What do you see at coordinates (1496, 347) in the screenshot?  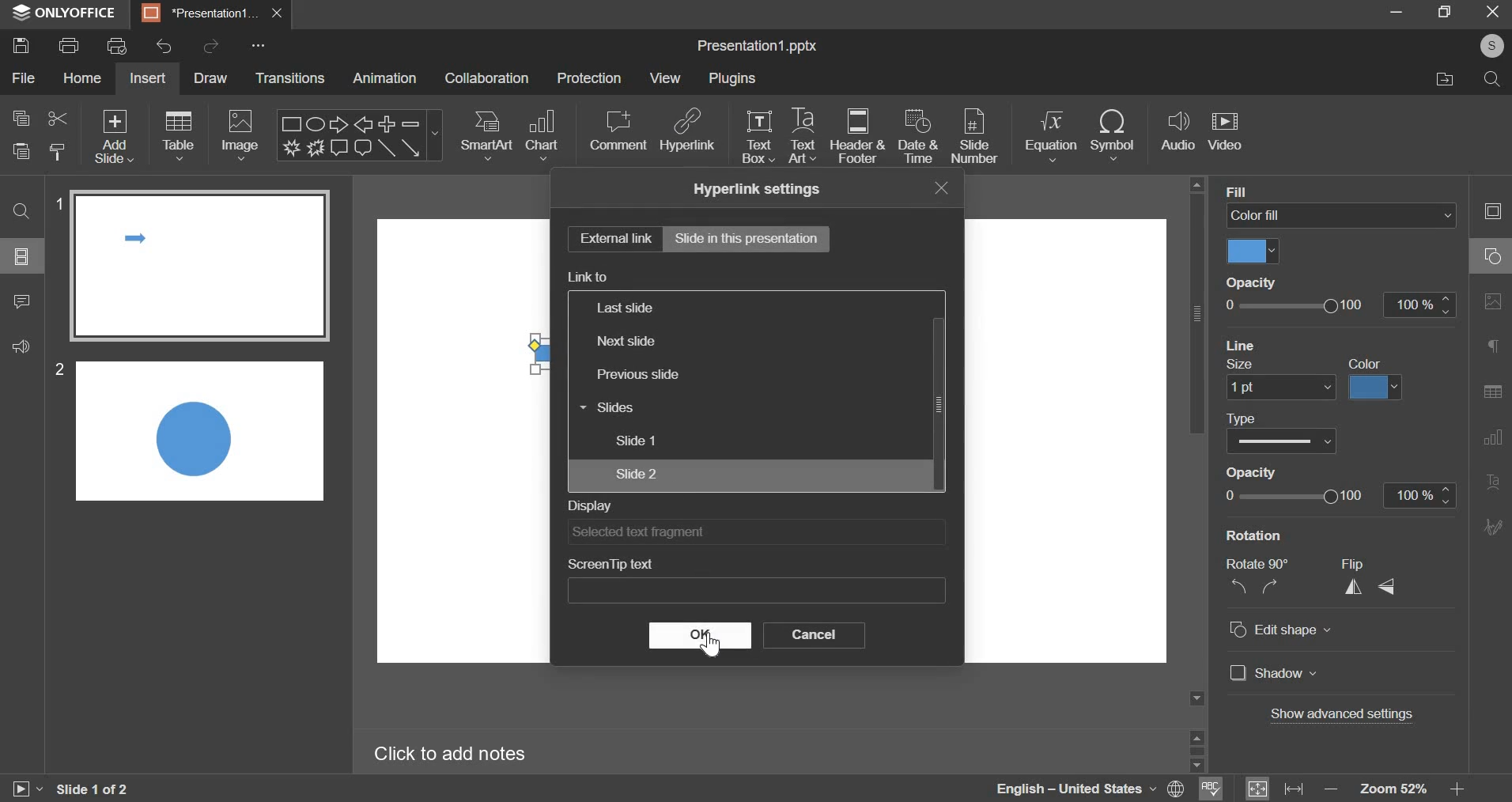 I see `Paragraph settings` at bounding box center [1496, 347].